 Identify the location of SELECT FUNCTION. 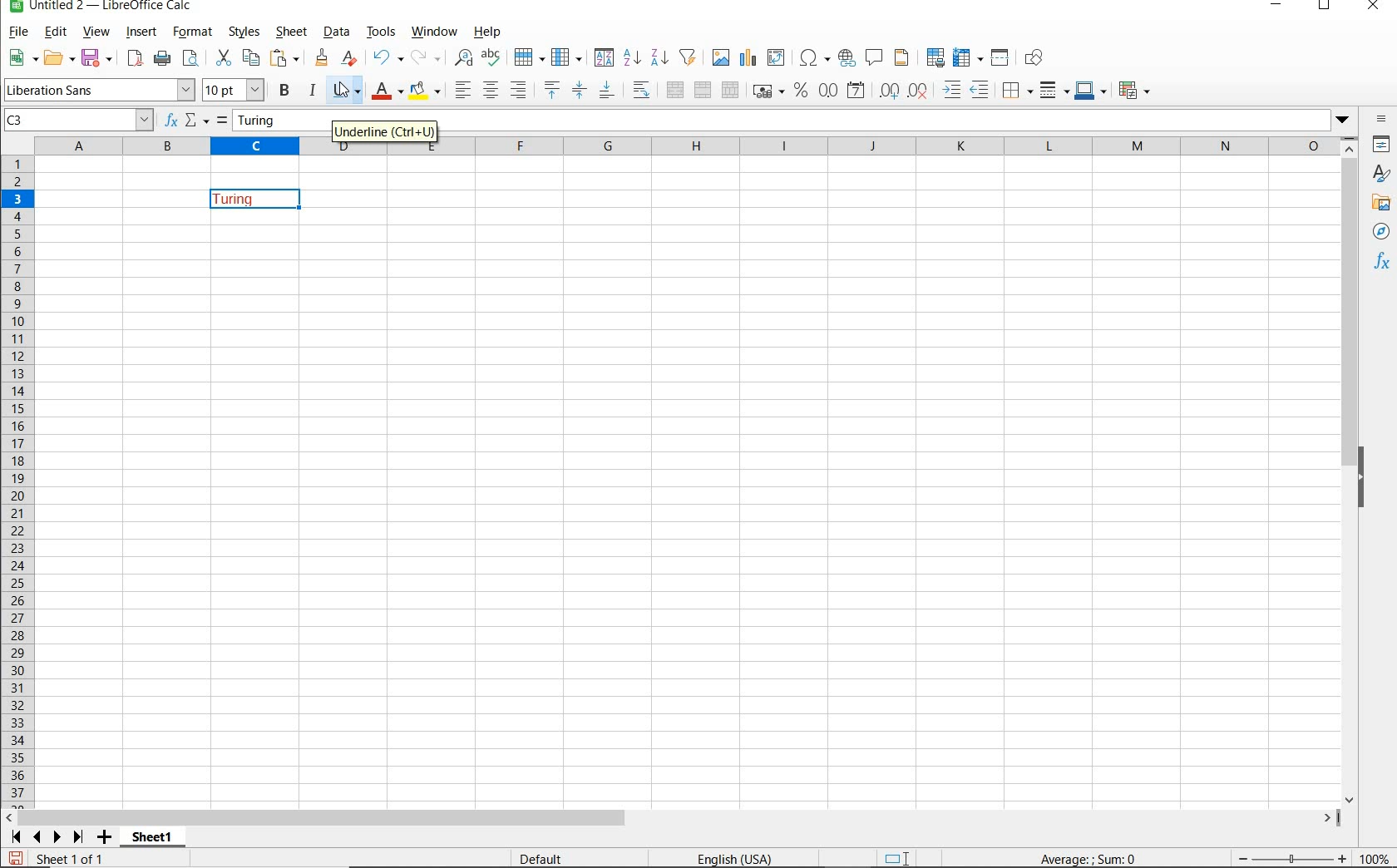
(197, 121).